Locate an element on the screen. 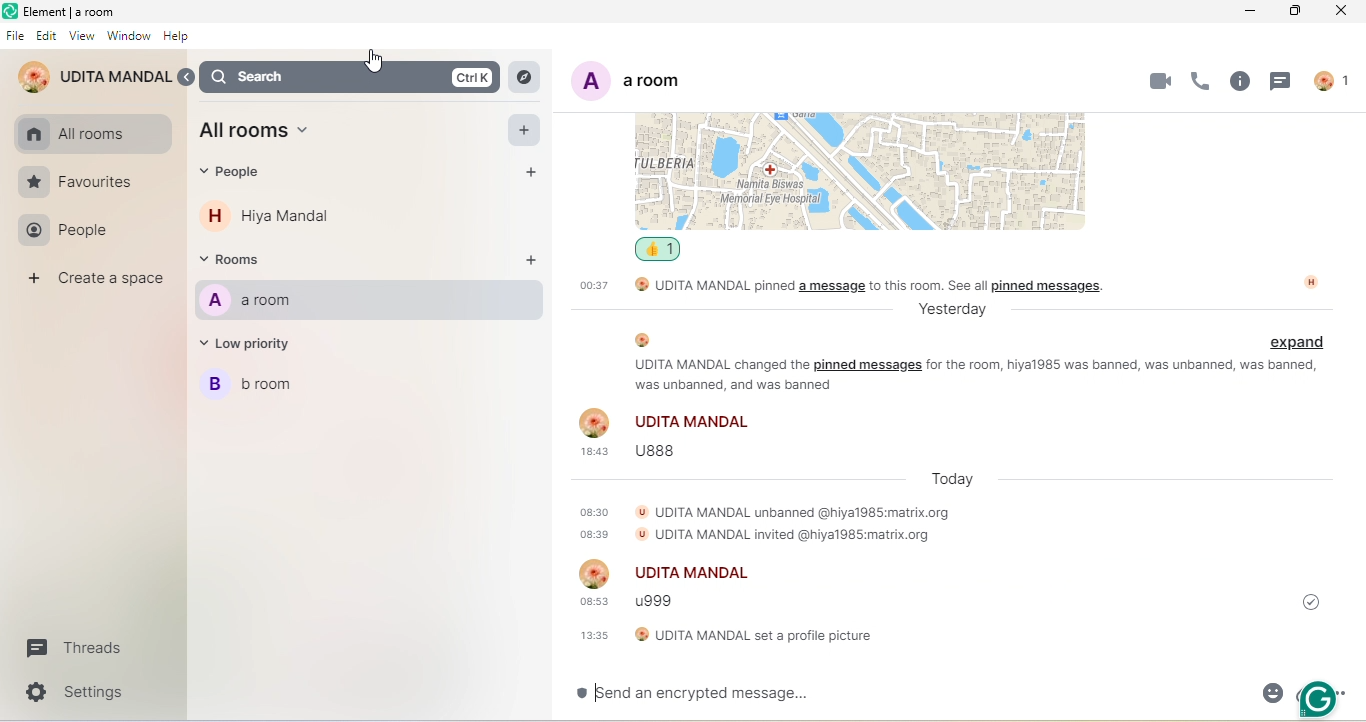  Sent is located at coordinates (1311, 602).